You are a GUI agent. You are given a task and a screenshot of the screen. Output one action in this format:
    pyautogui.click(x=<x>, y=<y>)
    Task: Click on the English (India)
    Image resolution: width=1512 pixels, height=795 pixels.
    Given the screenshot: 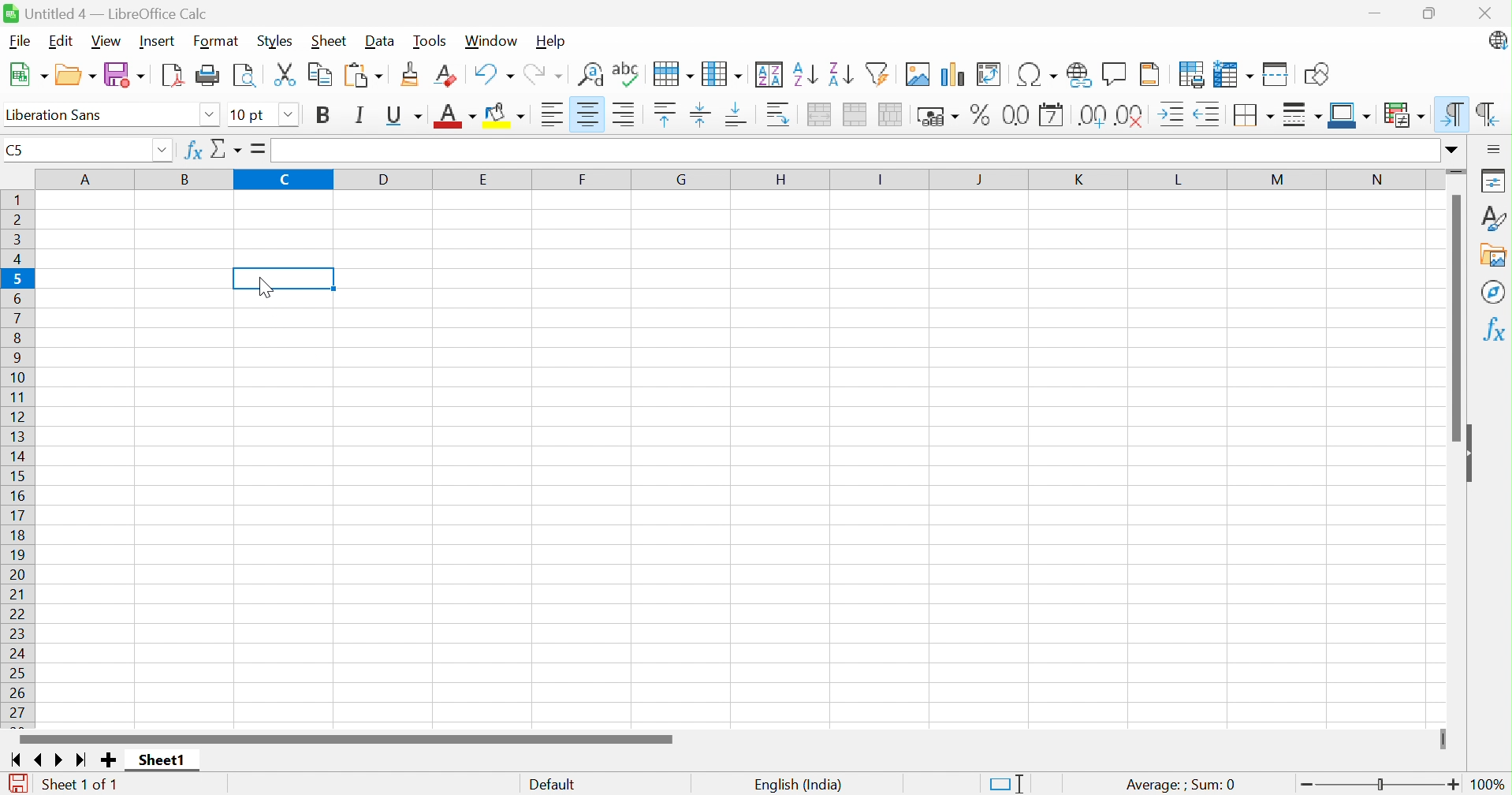 What is the action you would take?
    pyautogui.click(x=799, y=782)
    